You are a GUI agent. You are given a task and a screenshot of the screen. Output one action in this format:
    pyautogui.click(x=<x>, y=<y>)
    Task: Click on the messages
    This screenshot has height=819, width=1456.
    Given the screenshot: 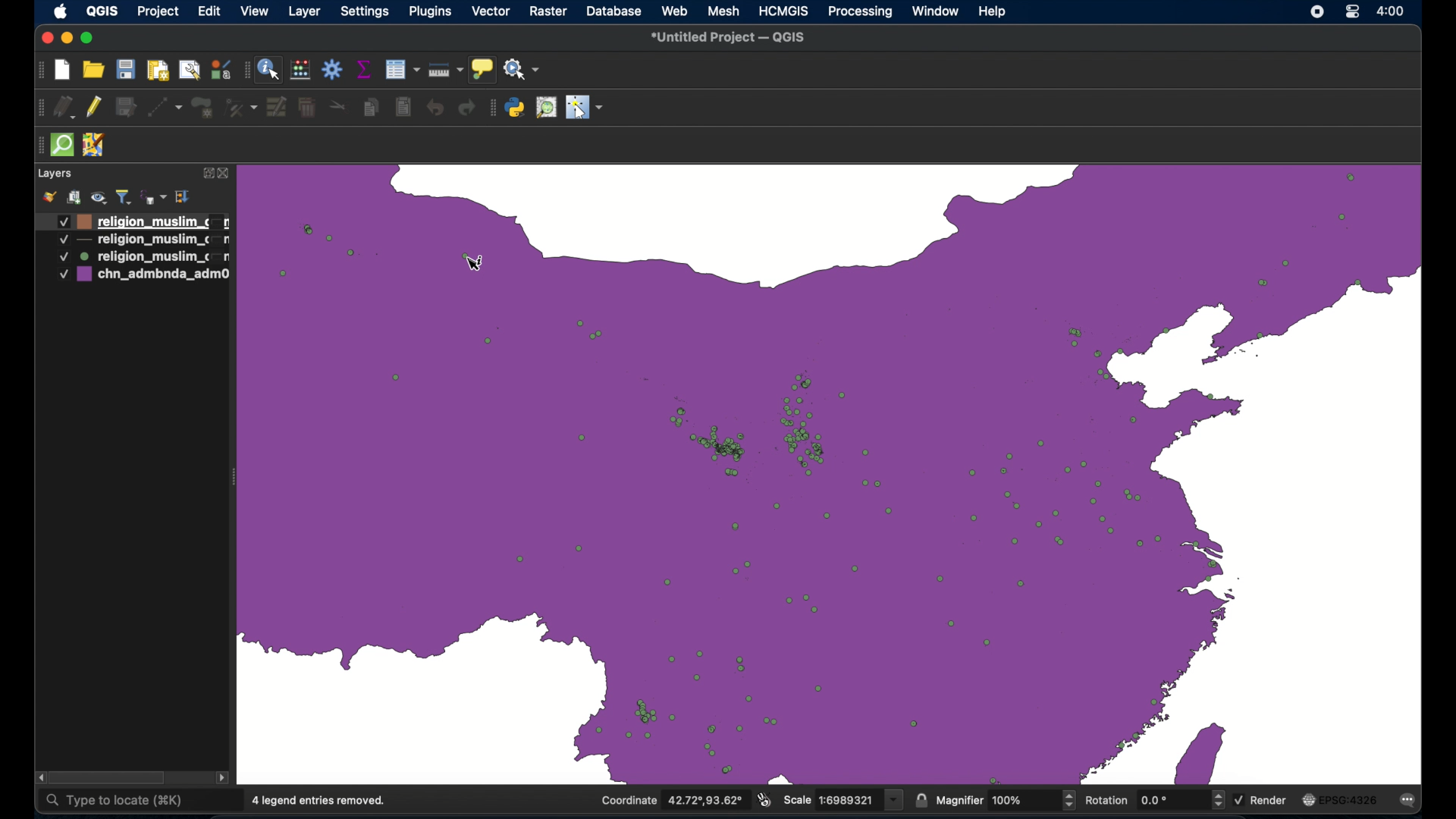 What is the action you would take?
    pyautogui.click(x=1410, y=801)
    